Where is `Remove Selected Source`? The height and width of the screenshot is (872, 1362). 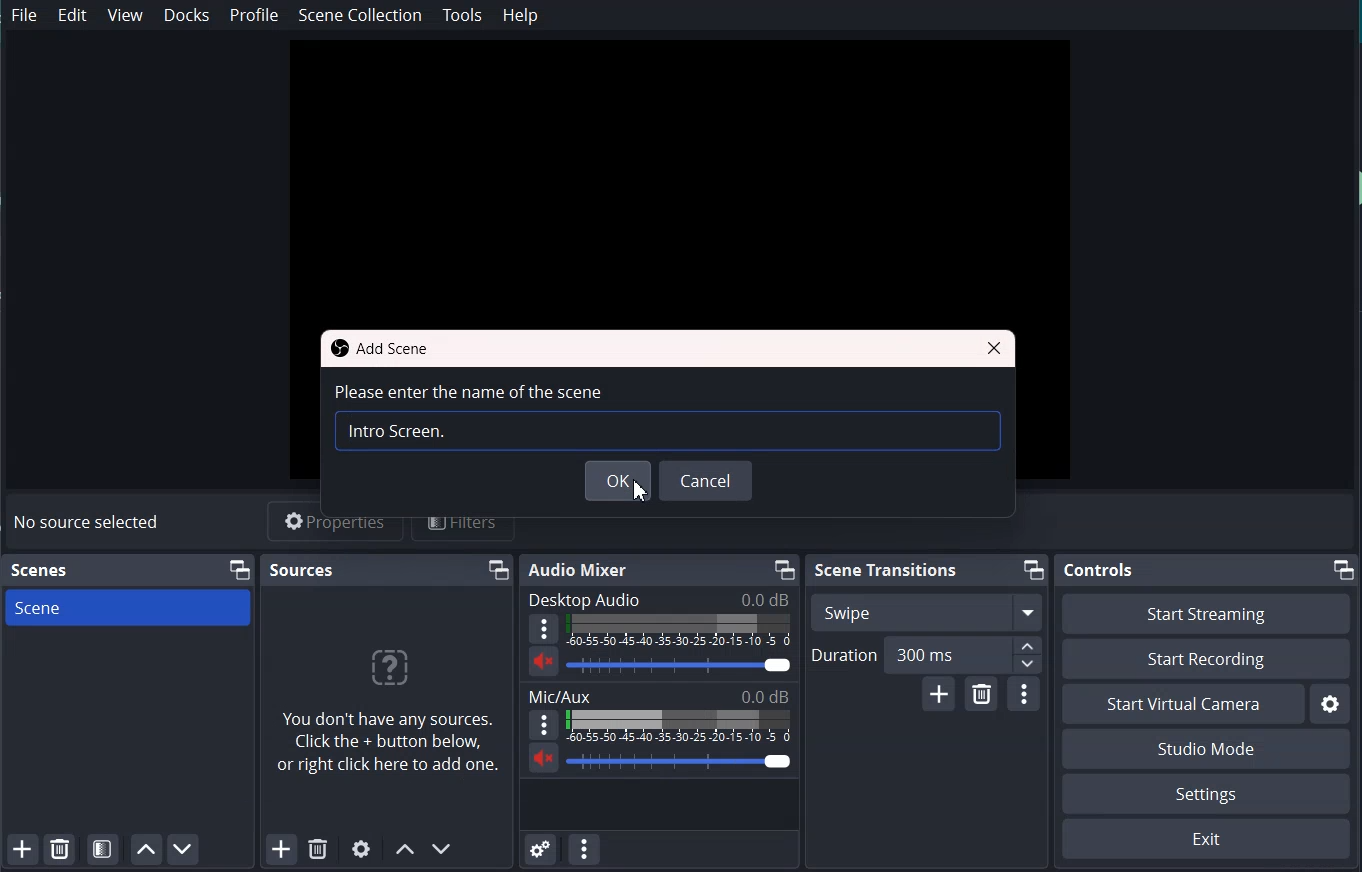 Remove Selected Source is located at coordinates (317, 850).